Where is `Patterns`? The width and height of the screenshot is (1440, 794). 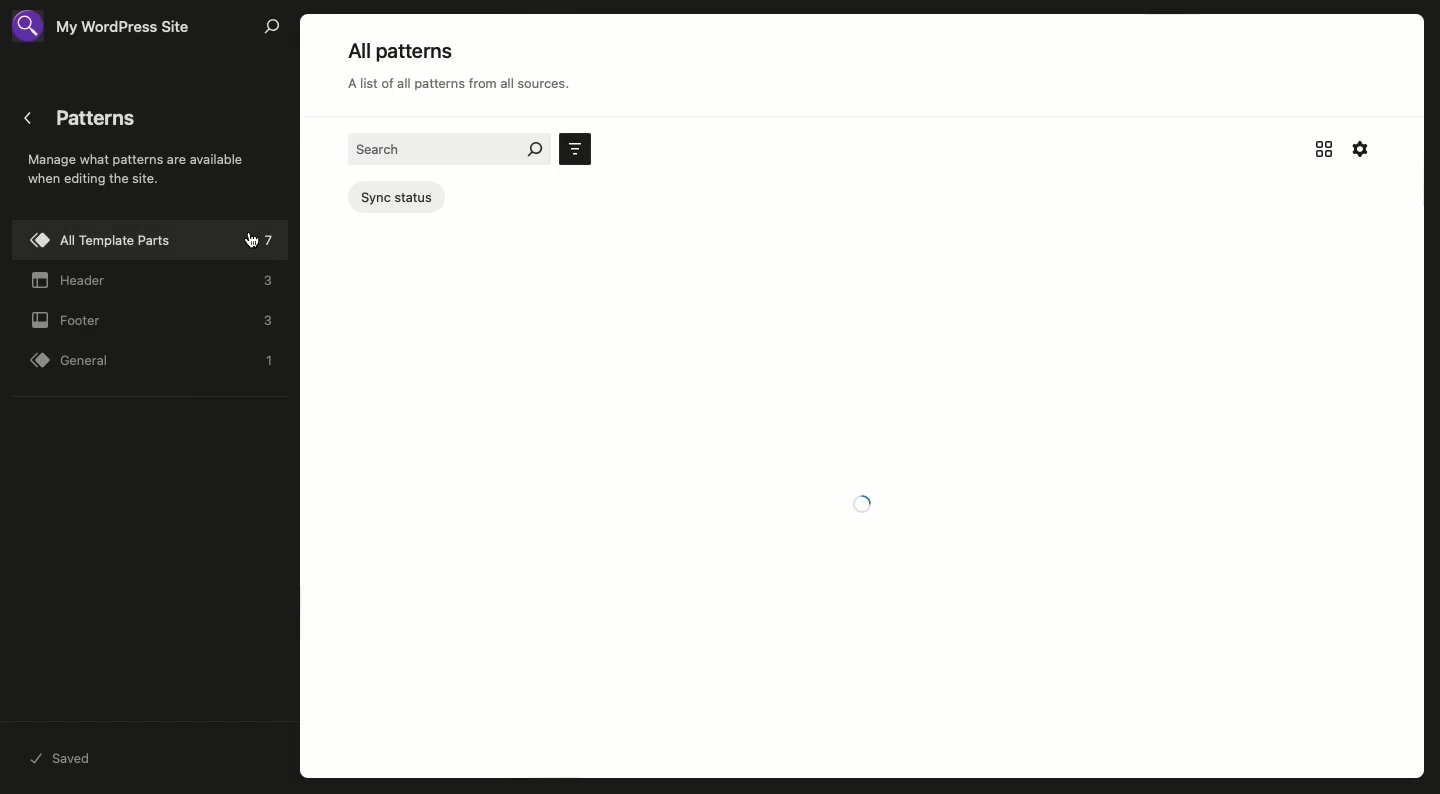
Patterns is located at coordinates (137, 169).